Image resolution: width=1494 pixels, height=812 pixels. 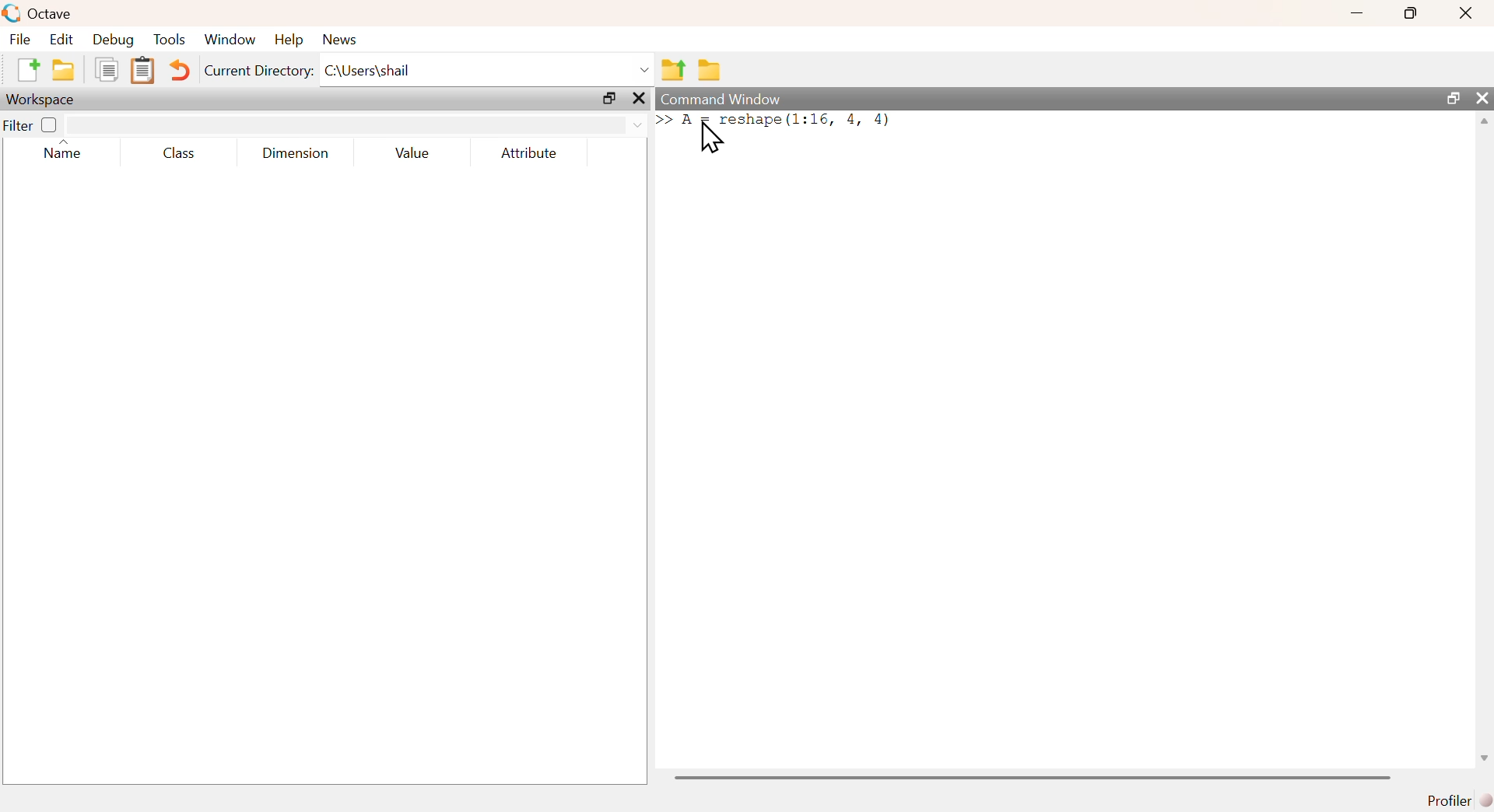 I want to click on name, so click(x=64, y=156).